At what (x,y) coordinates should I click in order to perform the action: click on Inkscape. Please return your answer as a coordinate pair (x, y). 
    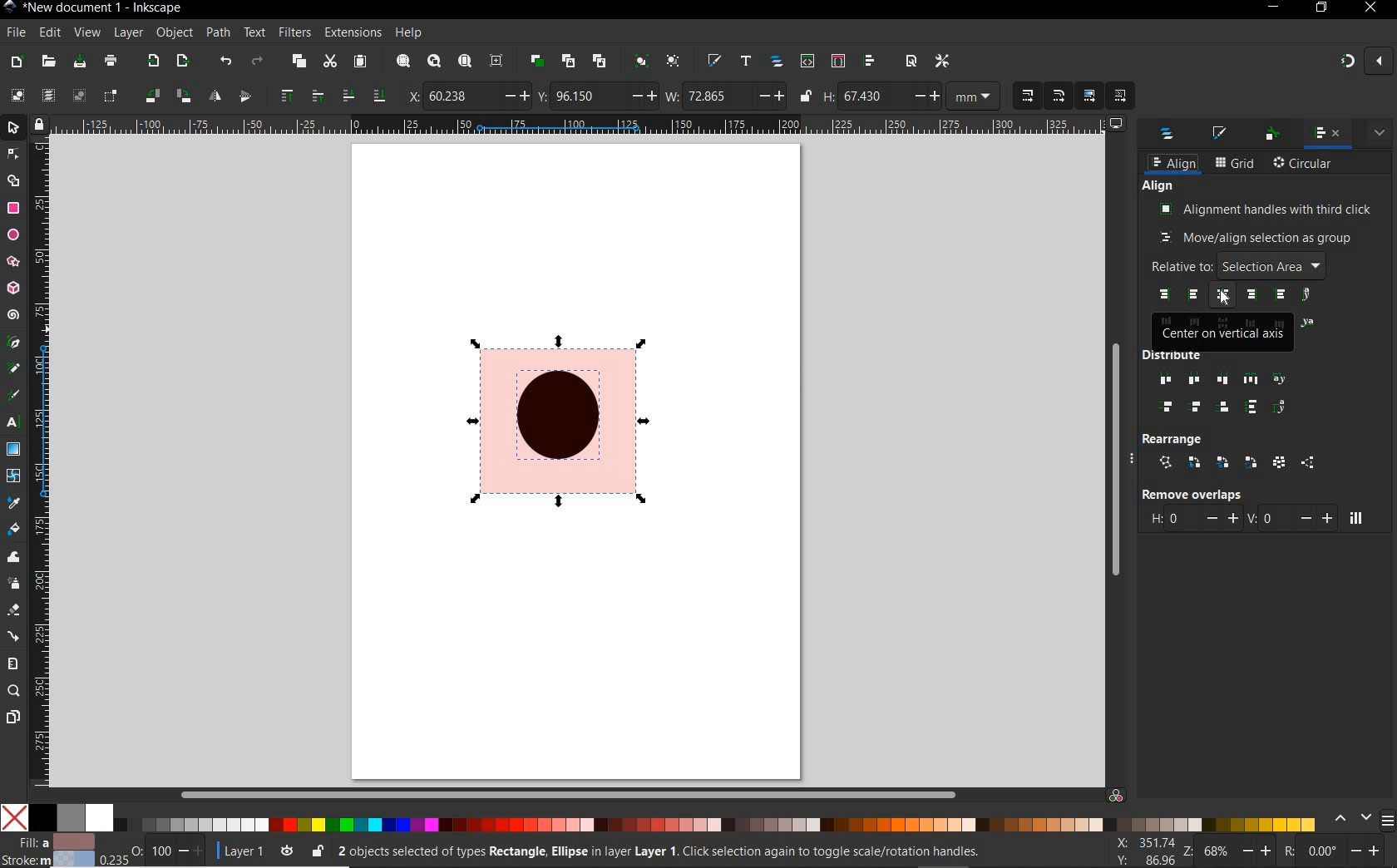
    Looking at the image, I should click on (11, 8).